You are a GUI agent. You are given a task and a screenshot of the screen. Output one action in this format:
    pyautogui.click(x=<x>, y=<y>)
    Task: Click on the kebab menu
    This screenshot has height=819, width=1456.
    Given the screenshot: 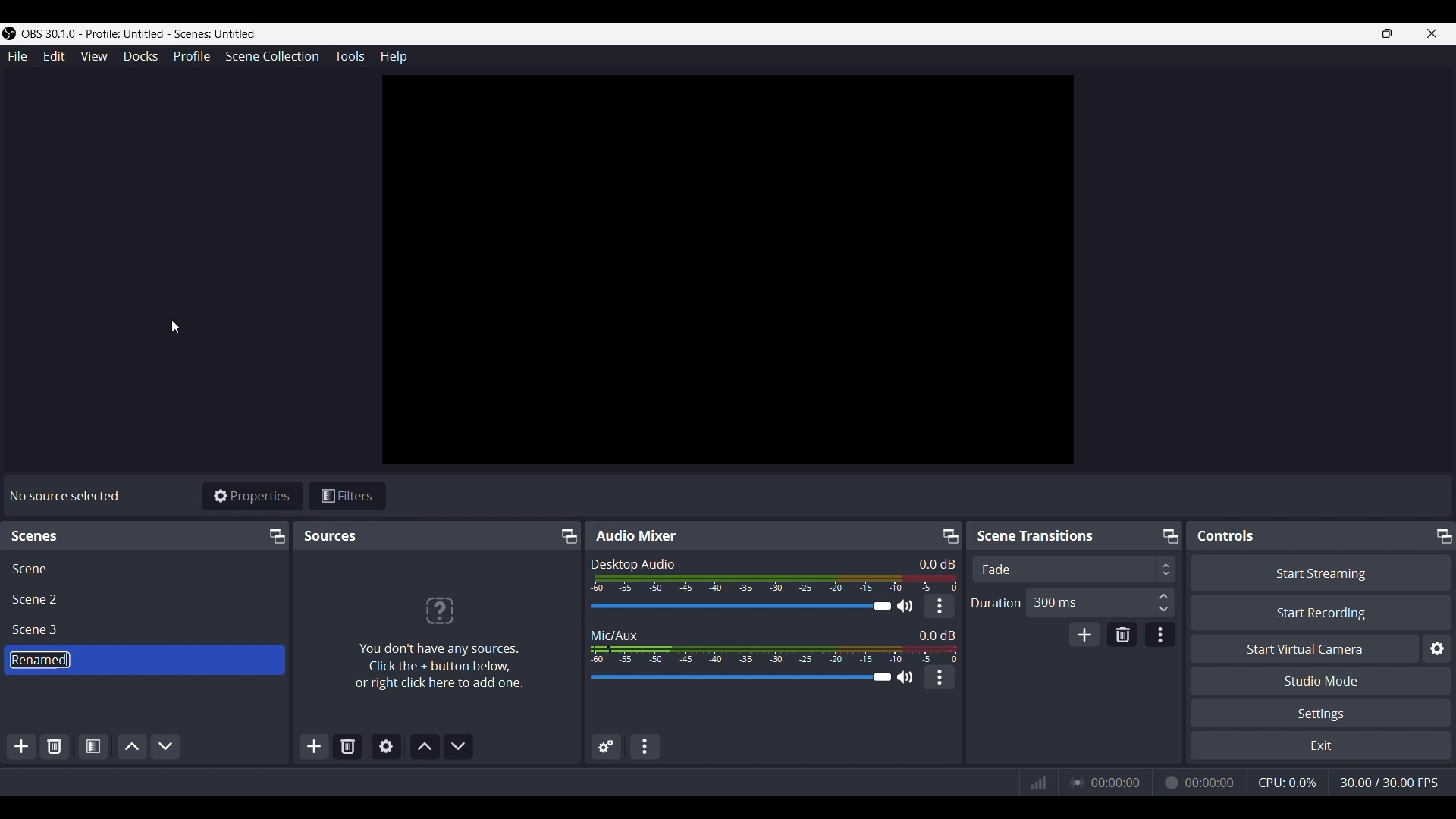 What is the action you would take?
    pyautogui.click(x=940, y=606)
    